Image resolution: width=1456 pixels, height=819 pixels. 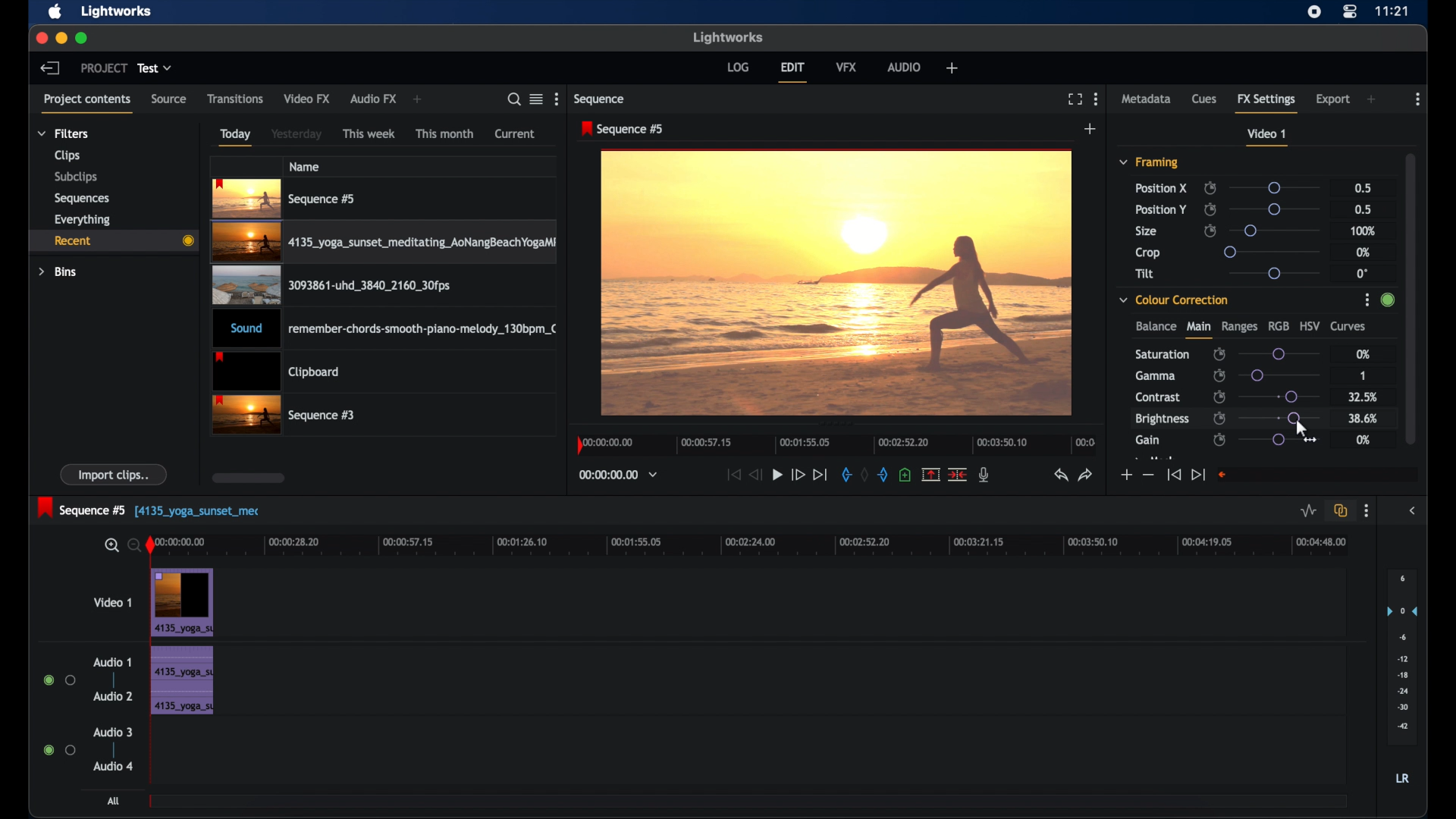 What do you see at coordinates (930, 475) in the screenshot?
I see `remove the marked section` at bounding box center [930, 475].